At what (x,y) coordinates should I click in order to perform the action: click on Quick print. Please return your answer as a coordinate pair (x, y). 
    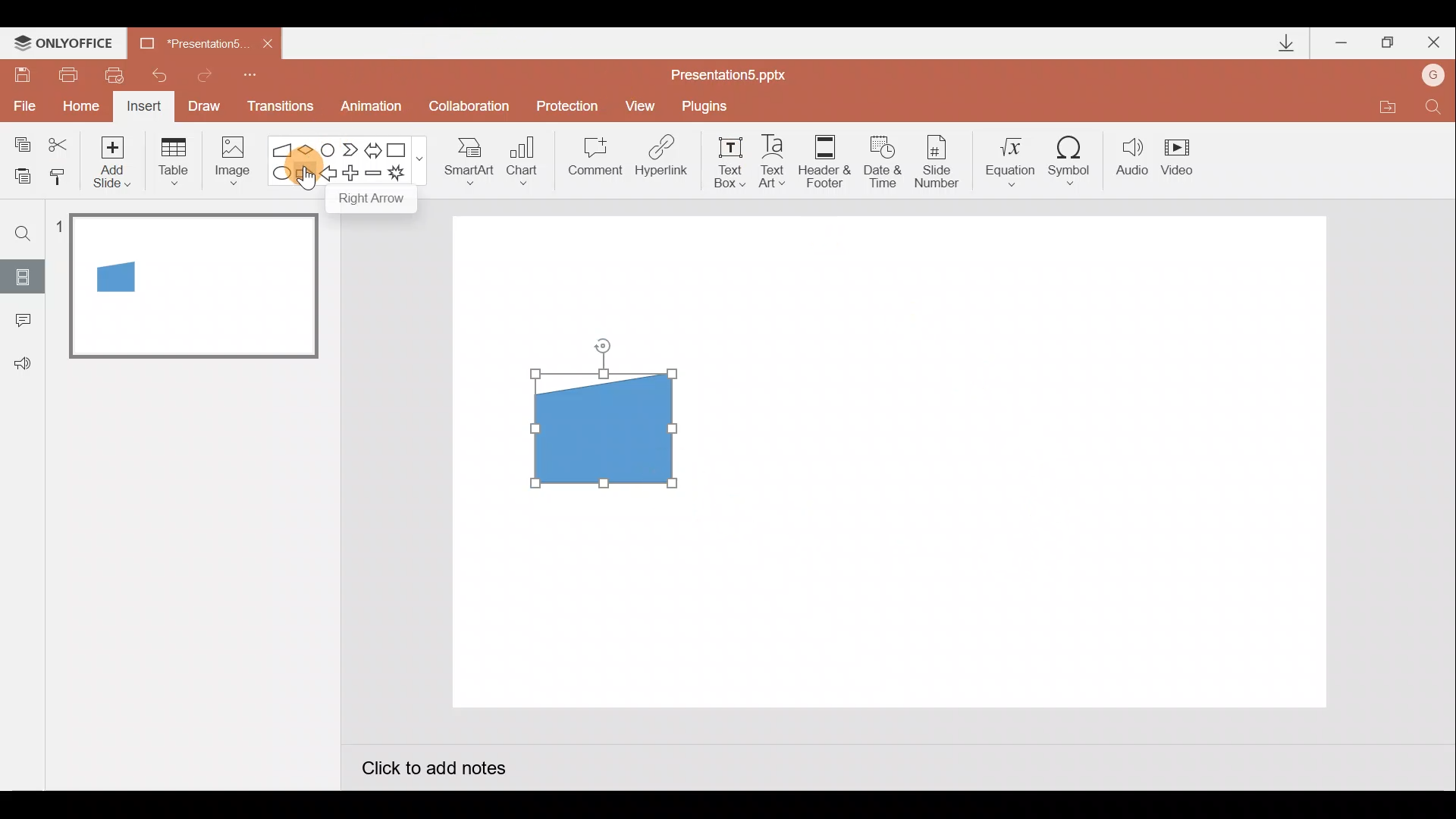
    Looking at the image, I should click on (120, 71).